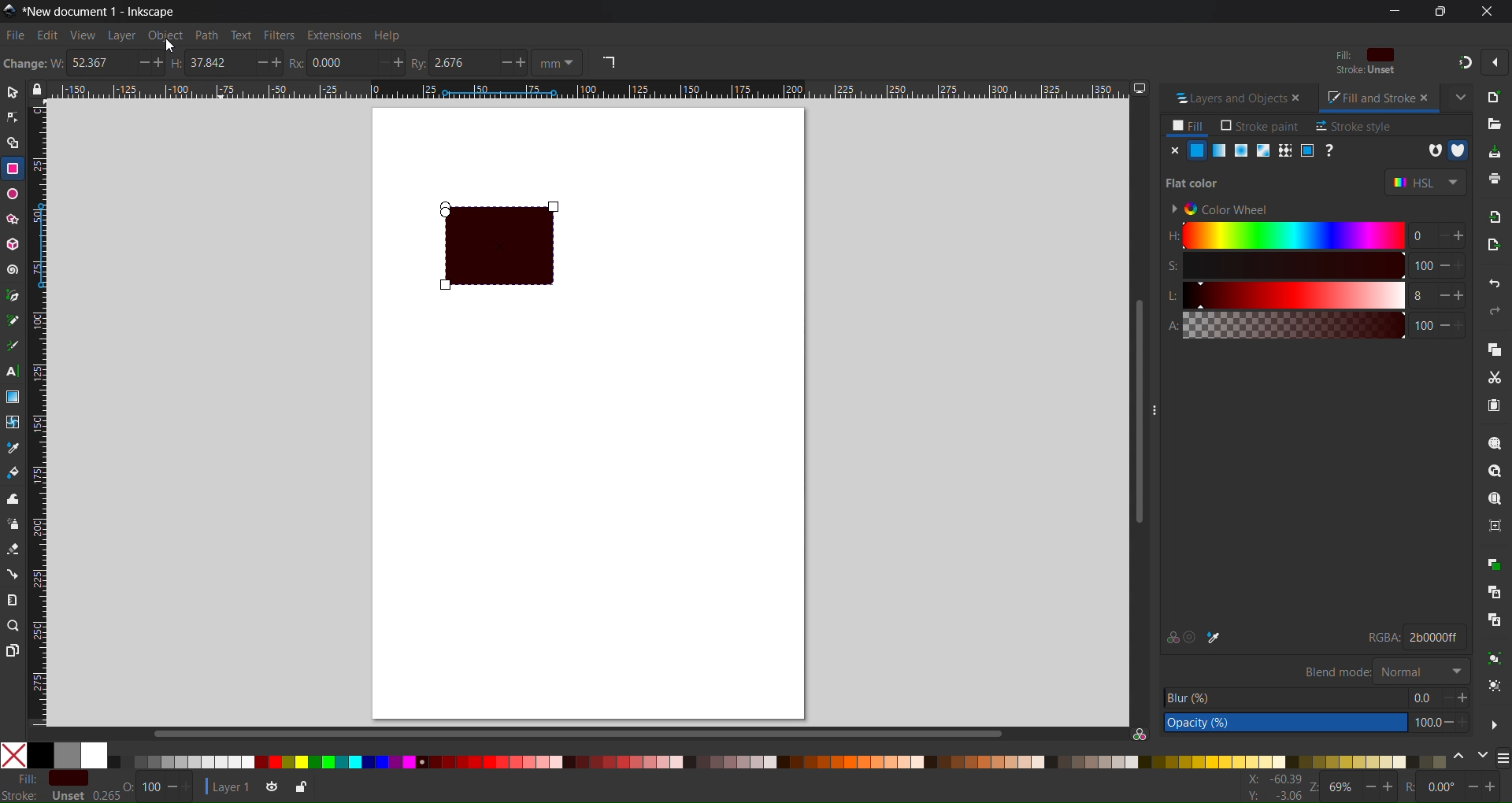 The height and width of the screenshot is (803, 1512). Describe the element at coordinates (171, 46) in the screenshot. I see `cursor` at that location.